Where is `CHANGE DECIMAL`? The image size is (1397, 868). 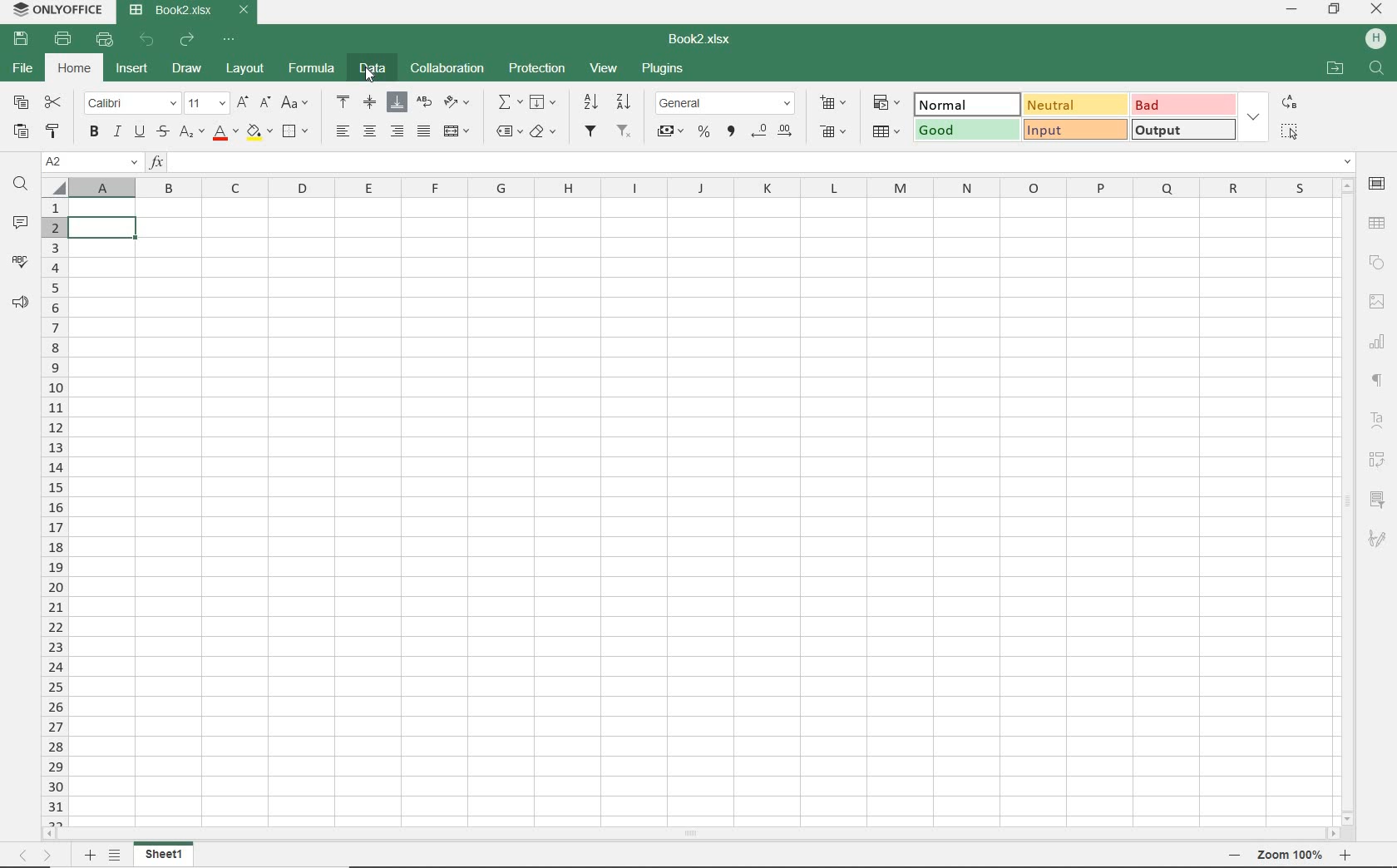
CHANGE DECIMAL is located at coordinates (772, 133).